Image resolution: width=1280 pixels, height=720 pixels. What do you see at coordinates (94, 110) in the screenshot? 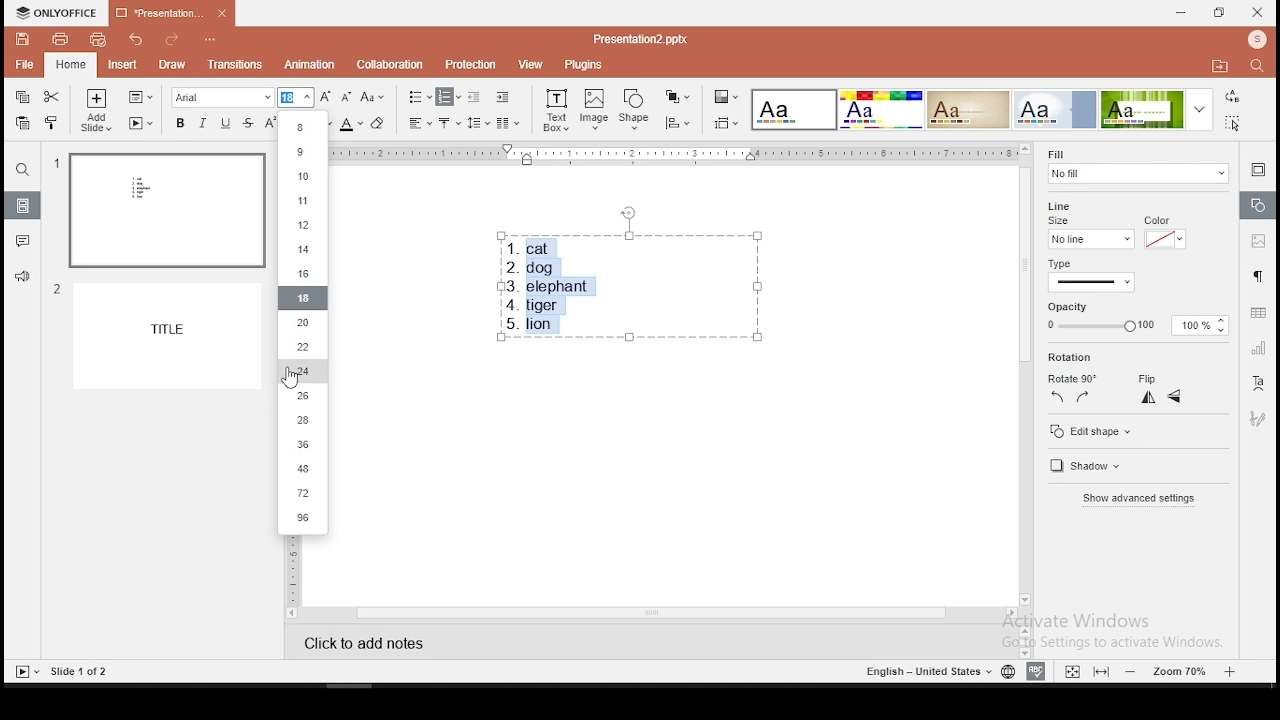
I see `add slide` at bounding box center [94, 110].